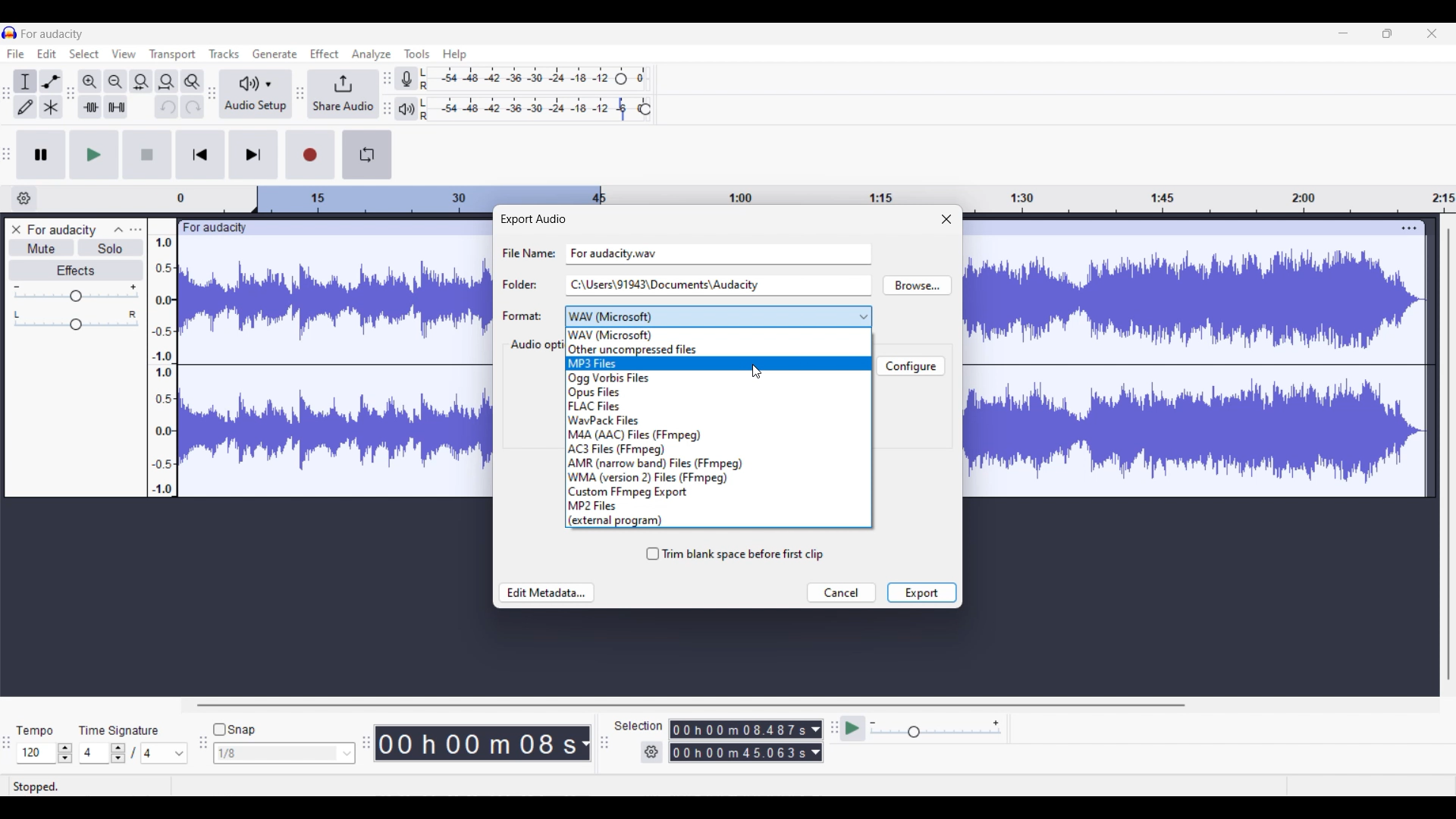 This screenshot has width=1456, height=819. I want to click on MP2 Files, so click(718, 505).